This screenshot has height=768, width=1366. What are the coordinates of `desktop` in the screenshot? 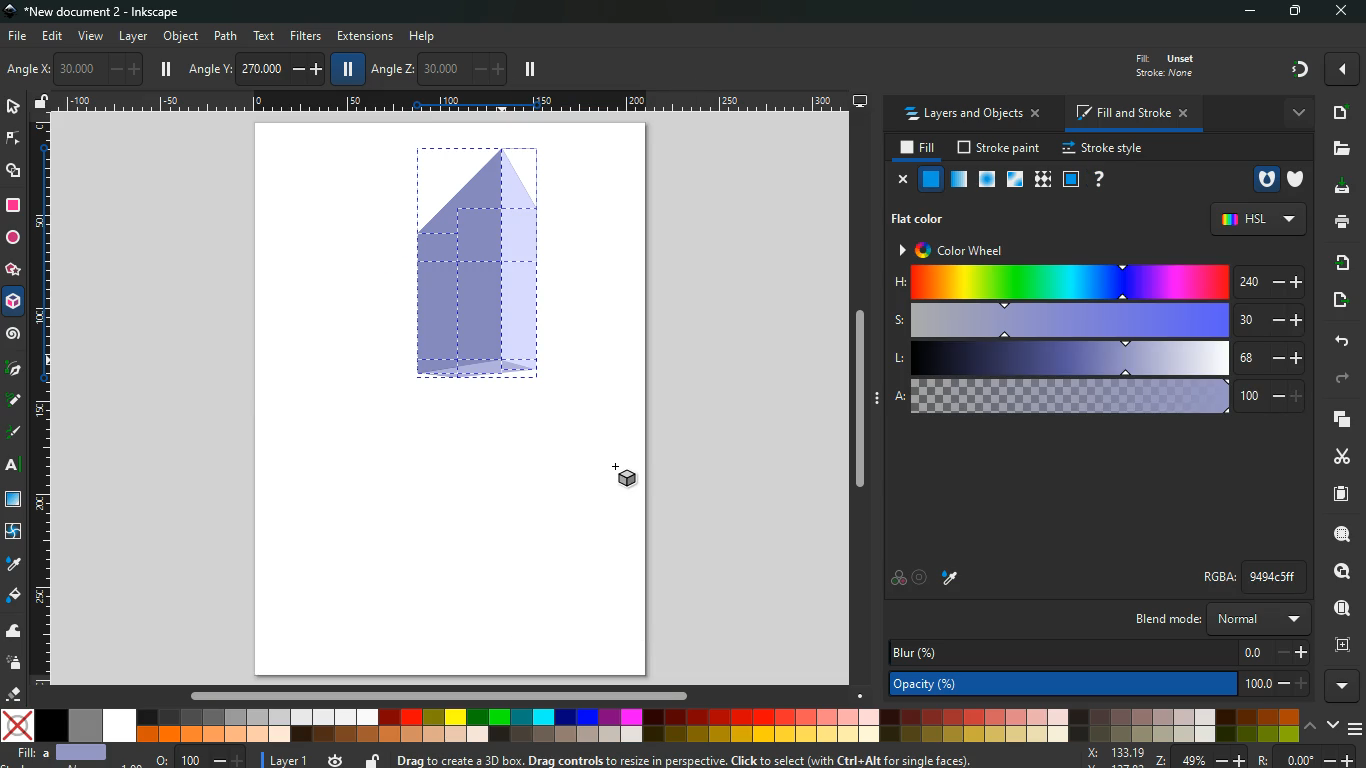 It's located at (861, 101).